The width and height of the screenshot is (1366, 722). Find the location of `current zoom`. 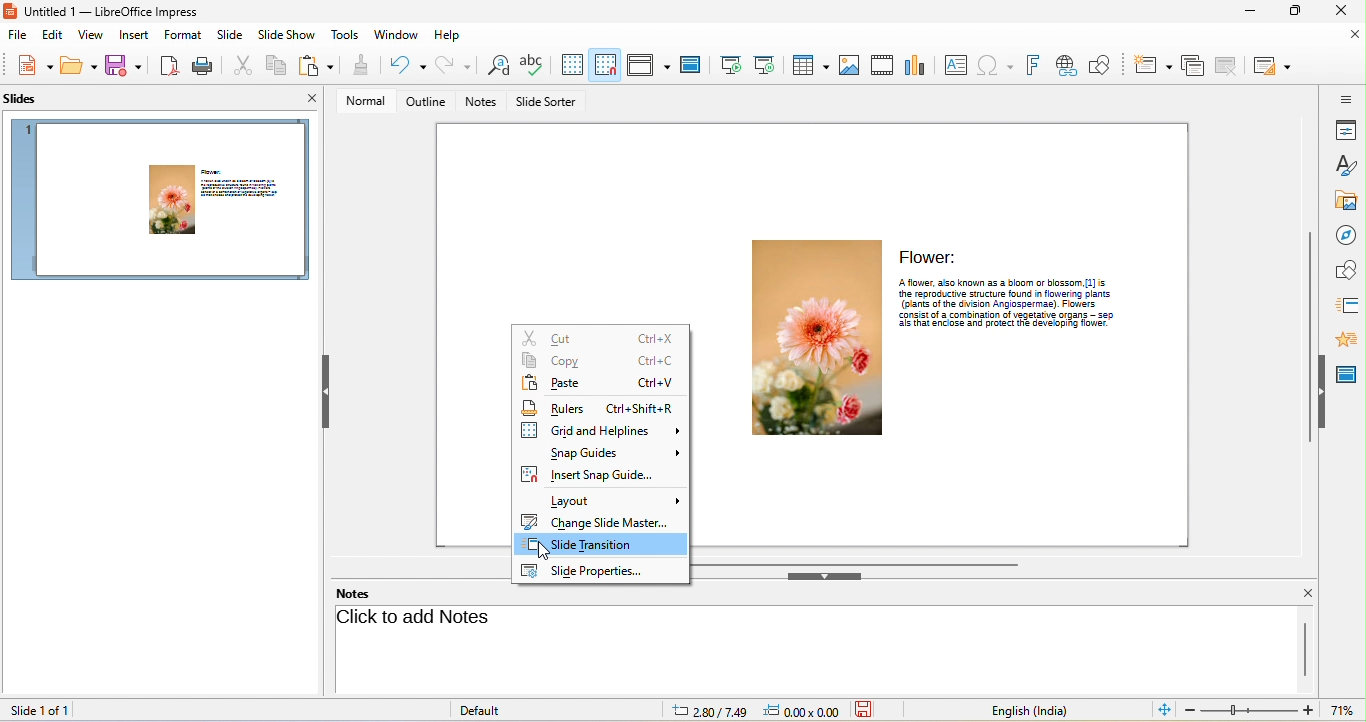

current zoom is located at coordinates (1347, 711).